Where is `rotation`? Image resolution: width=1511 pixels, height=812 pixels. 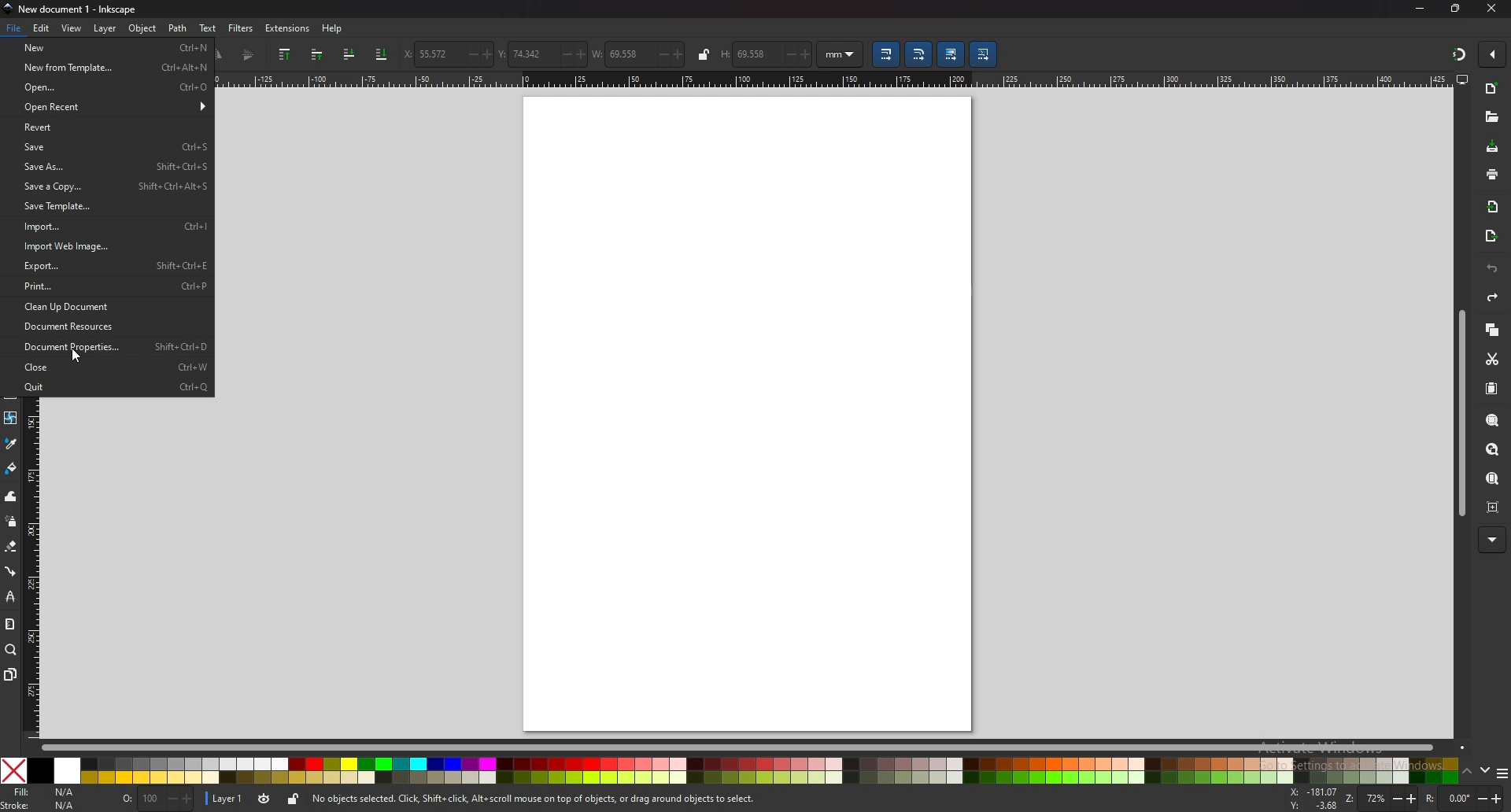 rotation is located at coordinates (1446, 799).